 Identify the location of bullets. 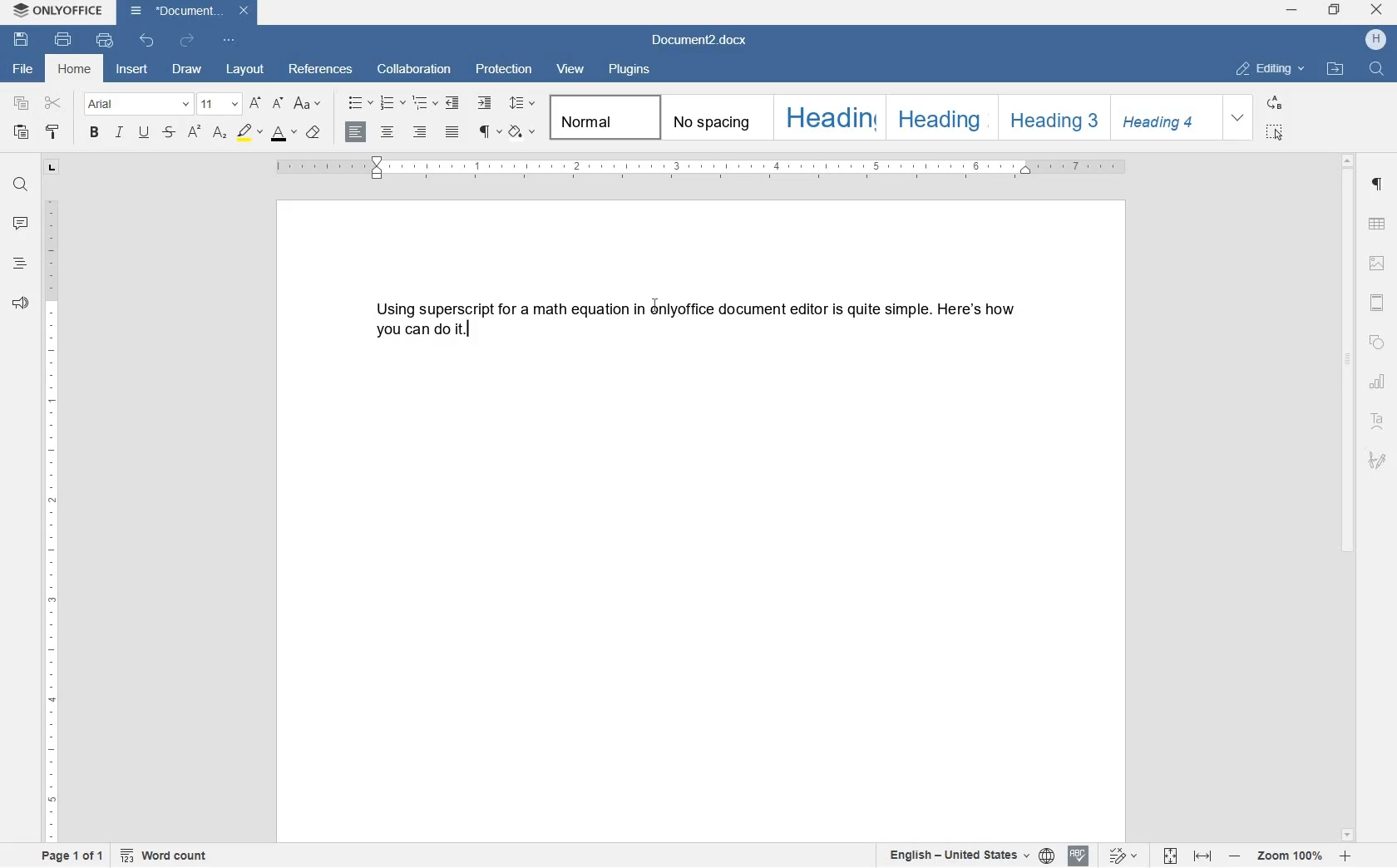
(360, 102).